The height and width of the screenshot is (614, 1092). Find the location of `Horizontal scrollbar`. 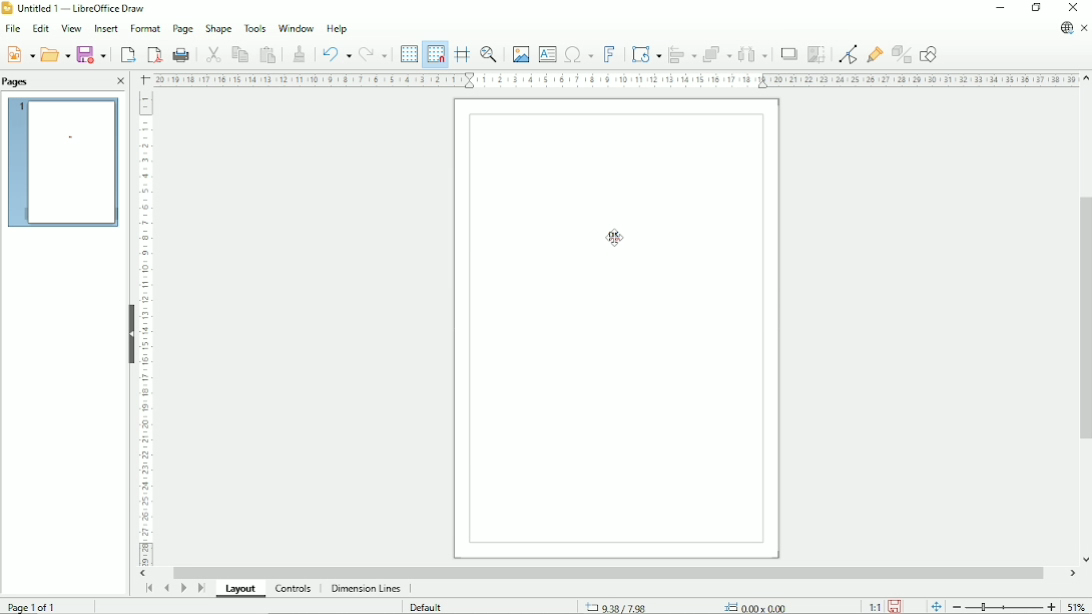

Horizontal scrollbar is located at coordinates (613, 571).